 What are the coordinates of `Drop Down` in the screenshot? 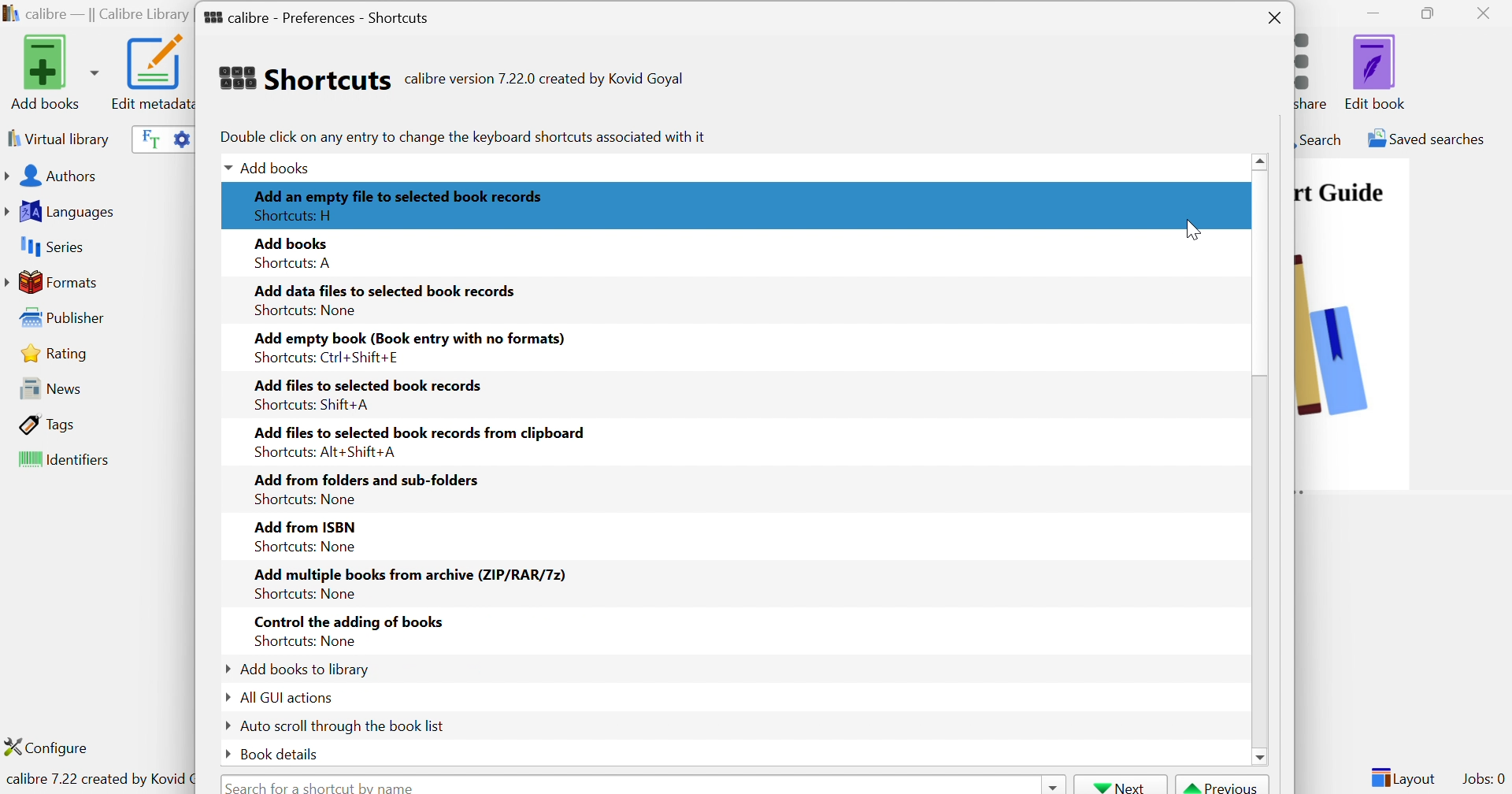 It's located at (1051, 785).